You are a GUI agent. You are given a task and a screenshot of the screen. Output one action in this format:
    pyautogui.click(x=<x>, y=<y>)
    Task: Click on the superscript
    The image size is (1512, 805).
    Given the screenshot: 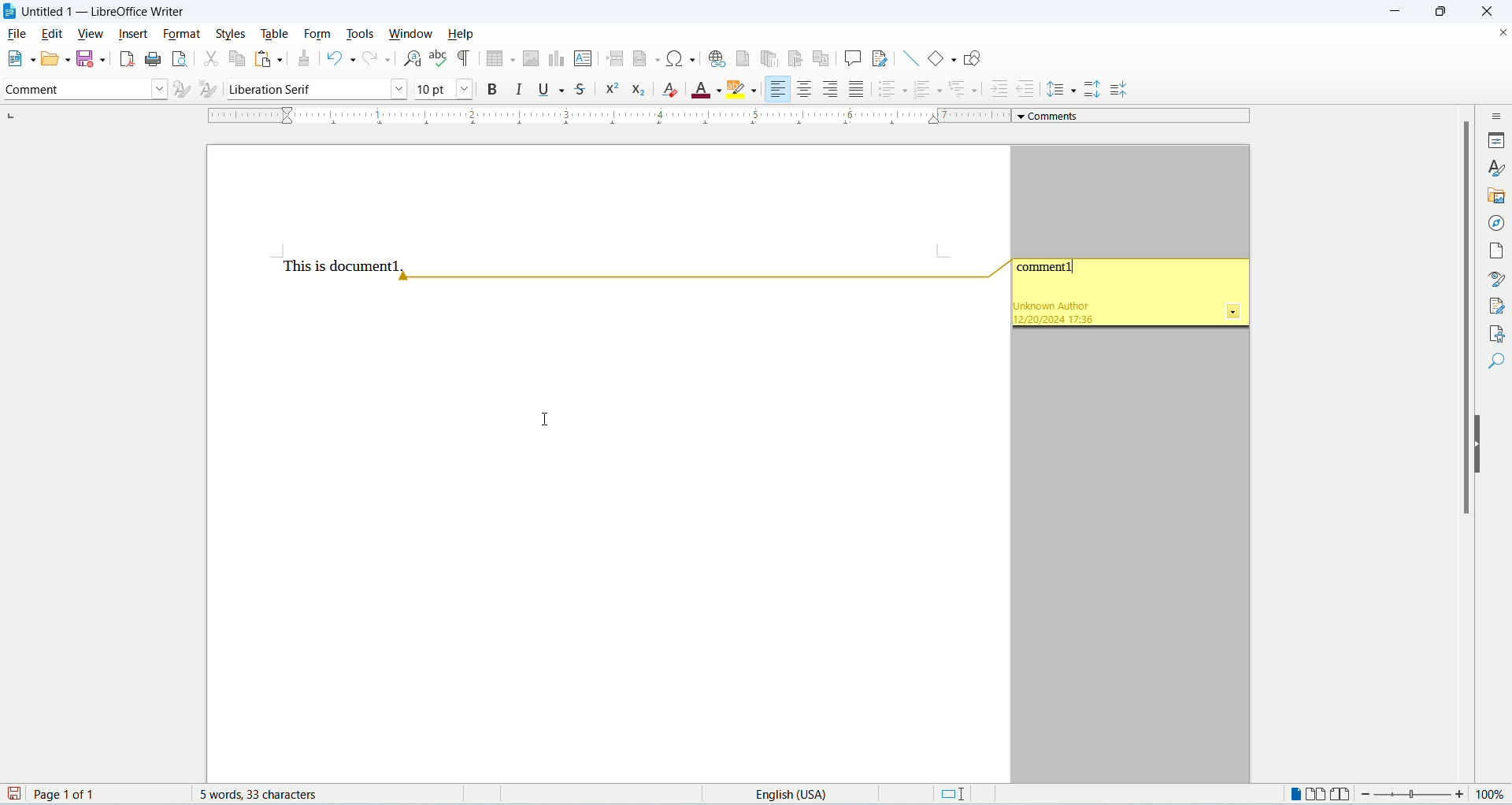 What is the action you would take?
    pyautogui.click(x=612, y=90)
    